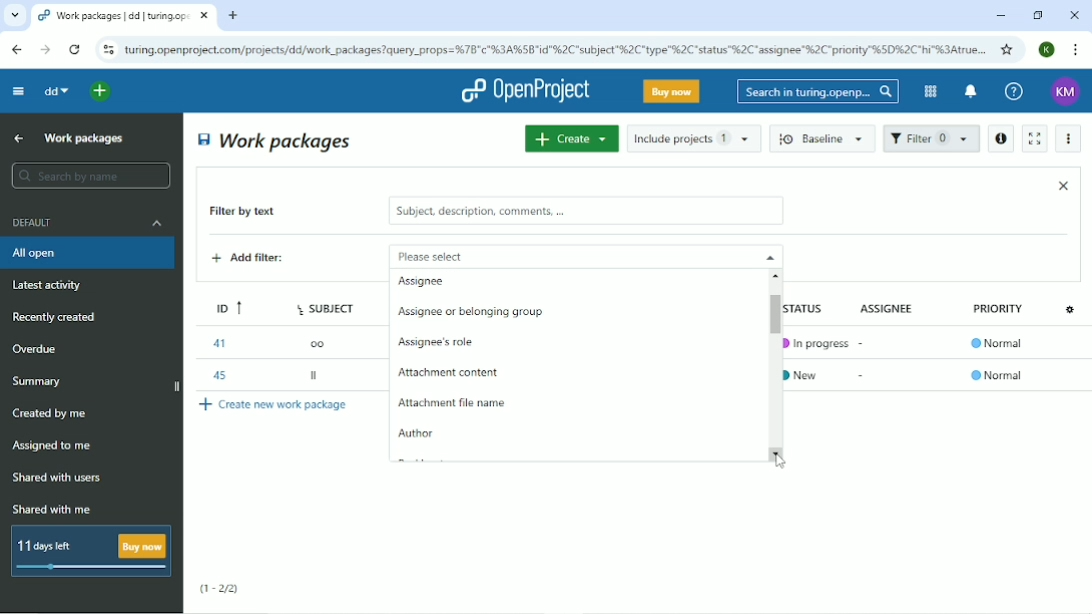 The height and width of the screenshot is (614, 1092). Describe the element at coordinates (416, 434) in the screenshot. I see `Author` at that location.